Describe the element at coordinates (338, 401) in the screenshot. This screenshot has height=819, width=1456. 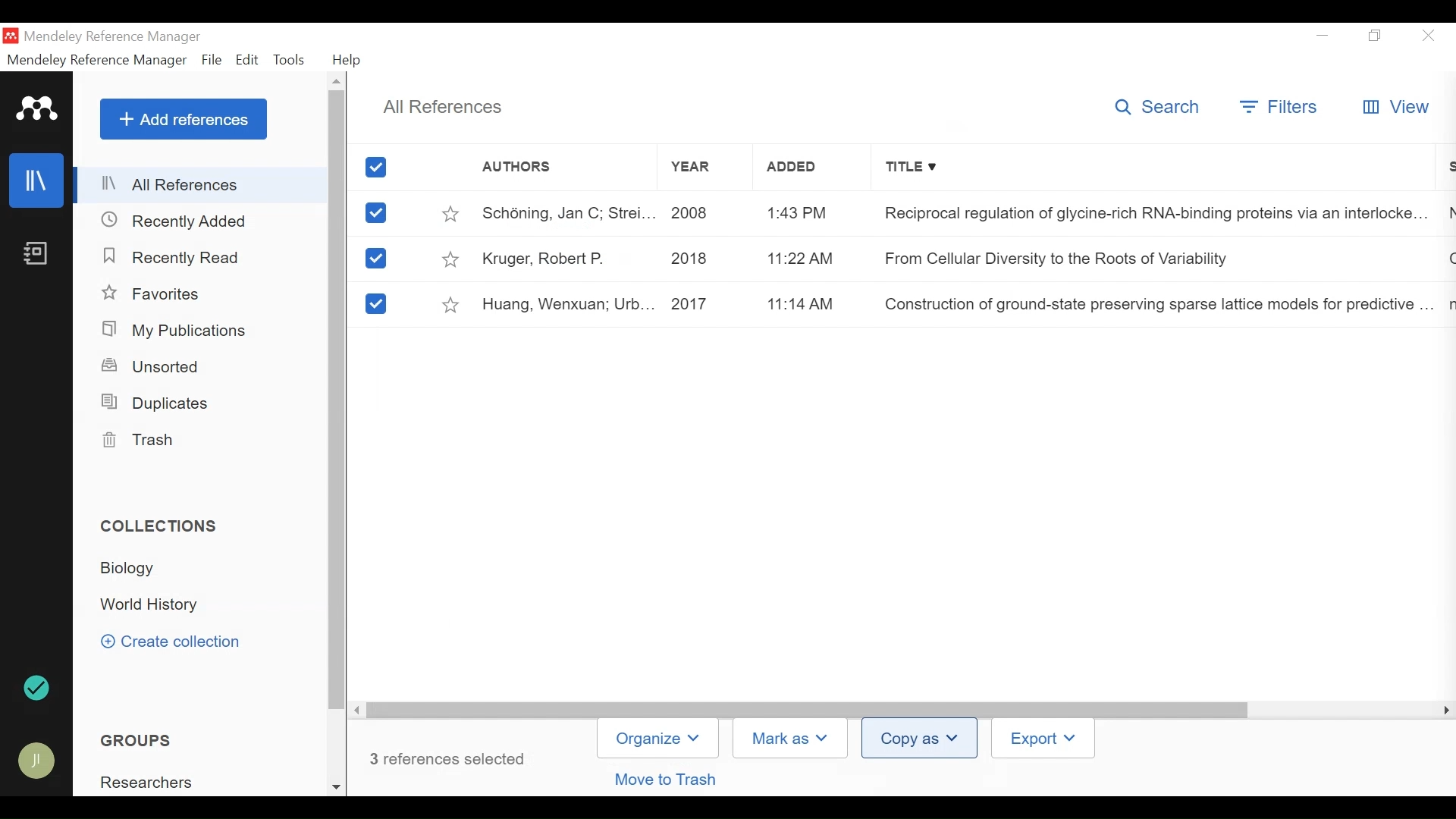
I see `Vertical Scroll bar` at that location.